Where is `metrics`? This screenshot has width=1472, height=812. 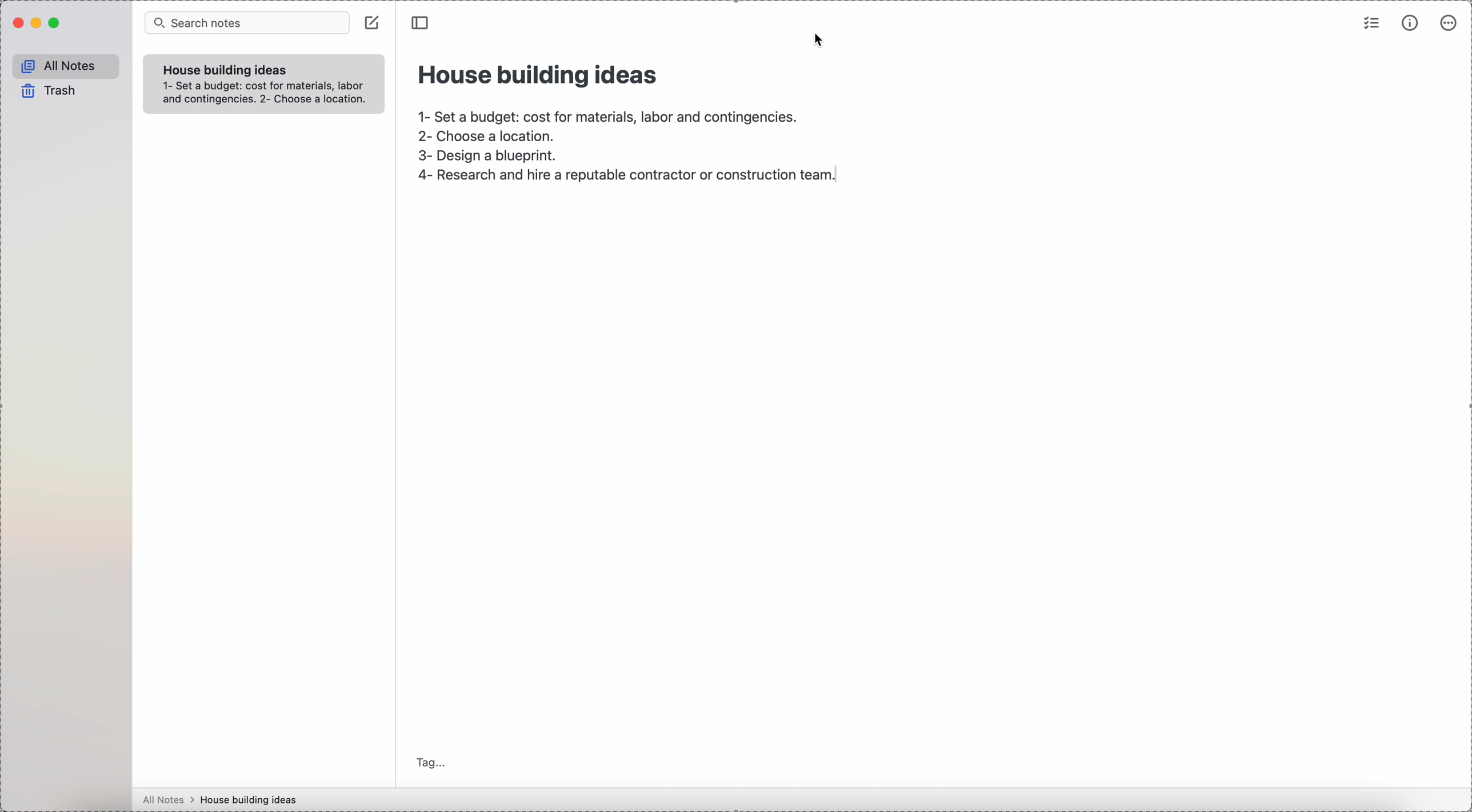 metrics is located at coordinates (1410, 25).